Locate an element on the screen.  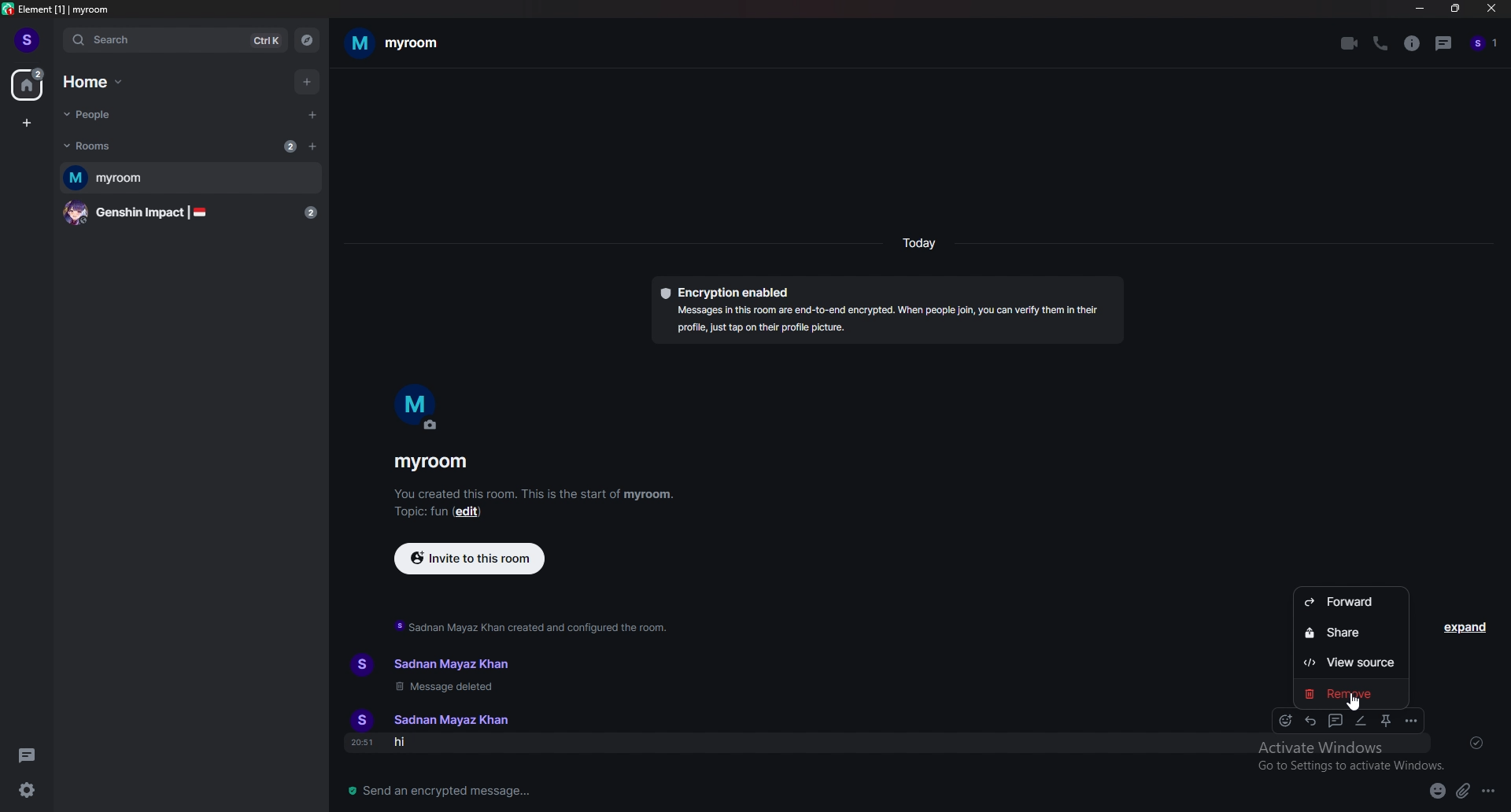
 Encryption enabled Messages in this room are end-to-end encrypted. When people Join, you can verlfy them in their profile, just tap on their profile picture. is located at coordinates (888, 311).